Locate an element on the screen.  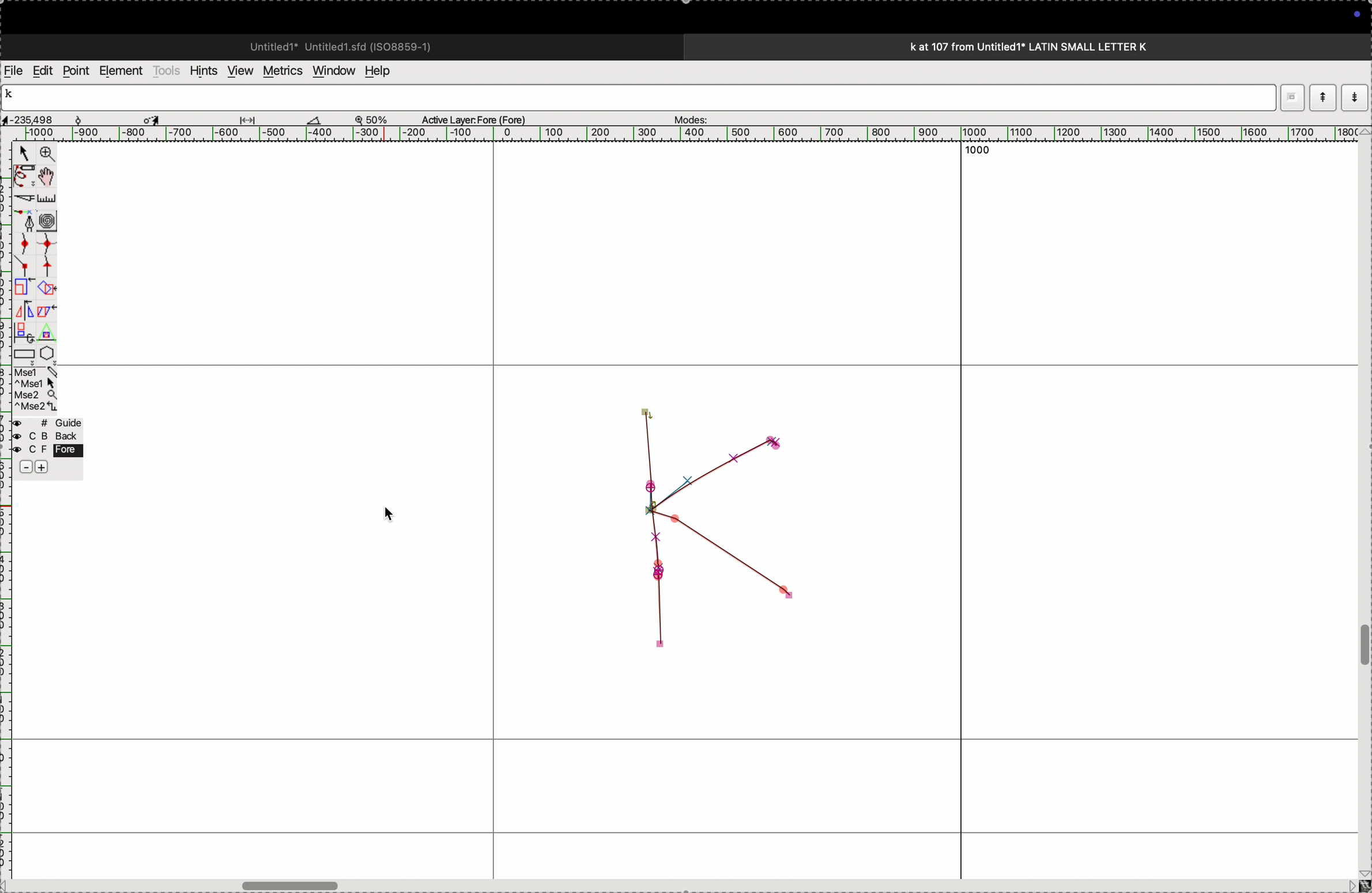
zoom is located at coordinates (45, 155).